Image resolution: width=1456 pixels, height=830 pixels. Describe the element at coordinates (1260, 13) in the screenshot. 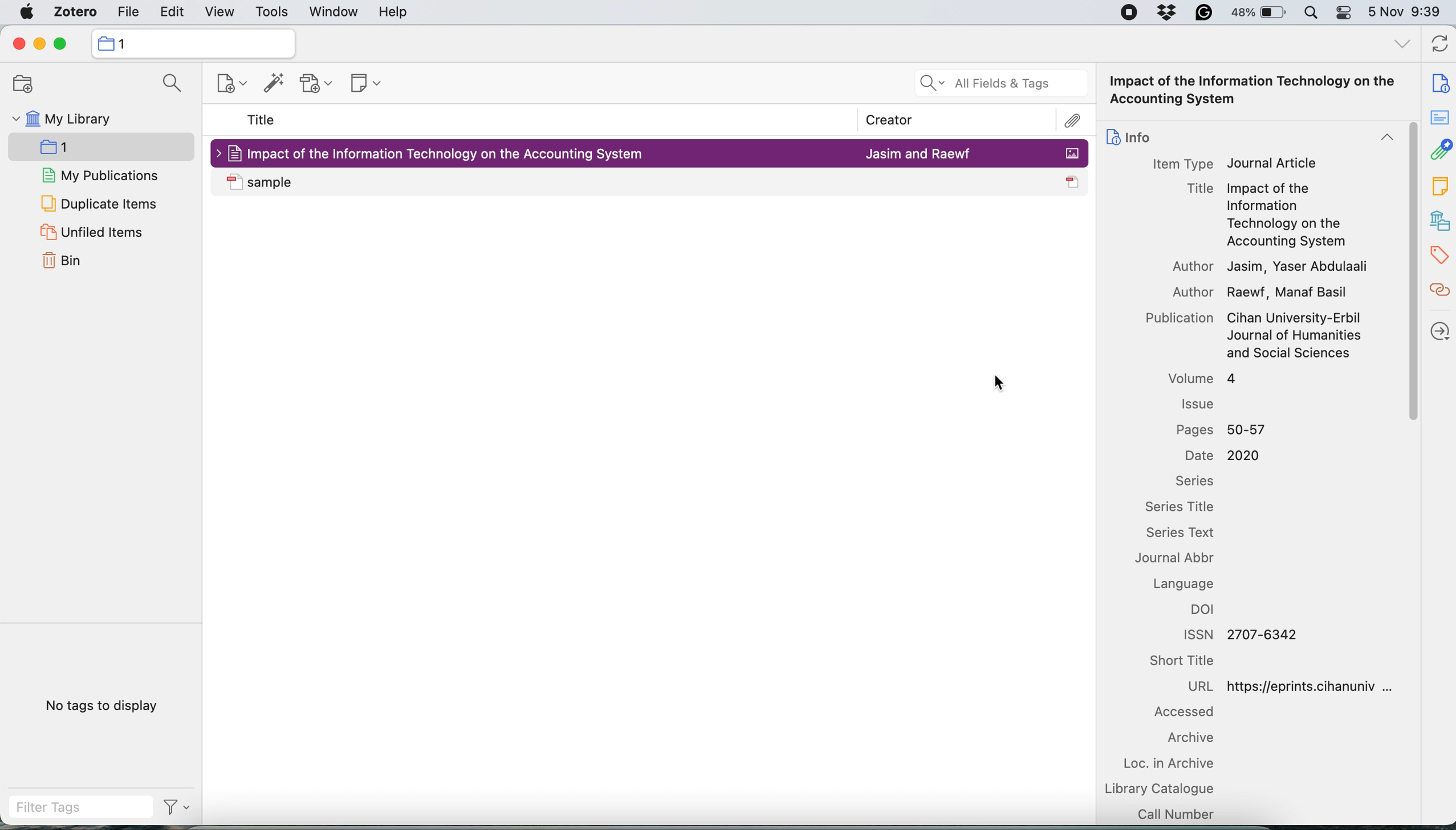

I see `48% battery` at that location.